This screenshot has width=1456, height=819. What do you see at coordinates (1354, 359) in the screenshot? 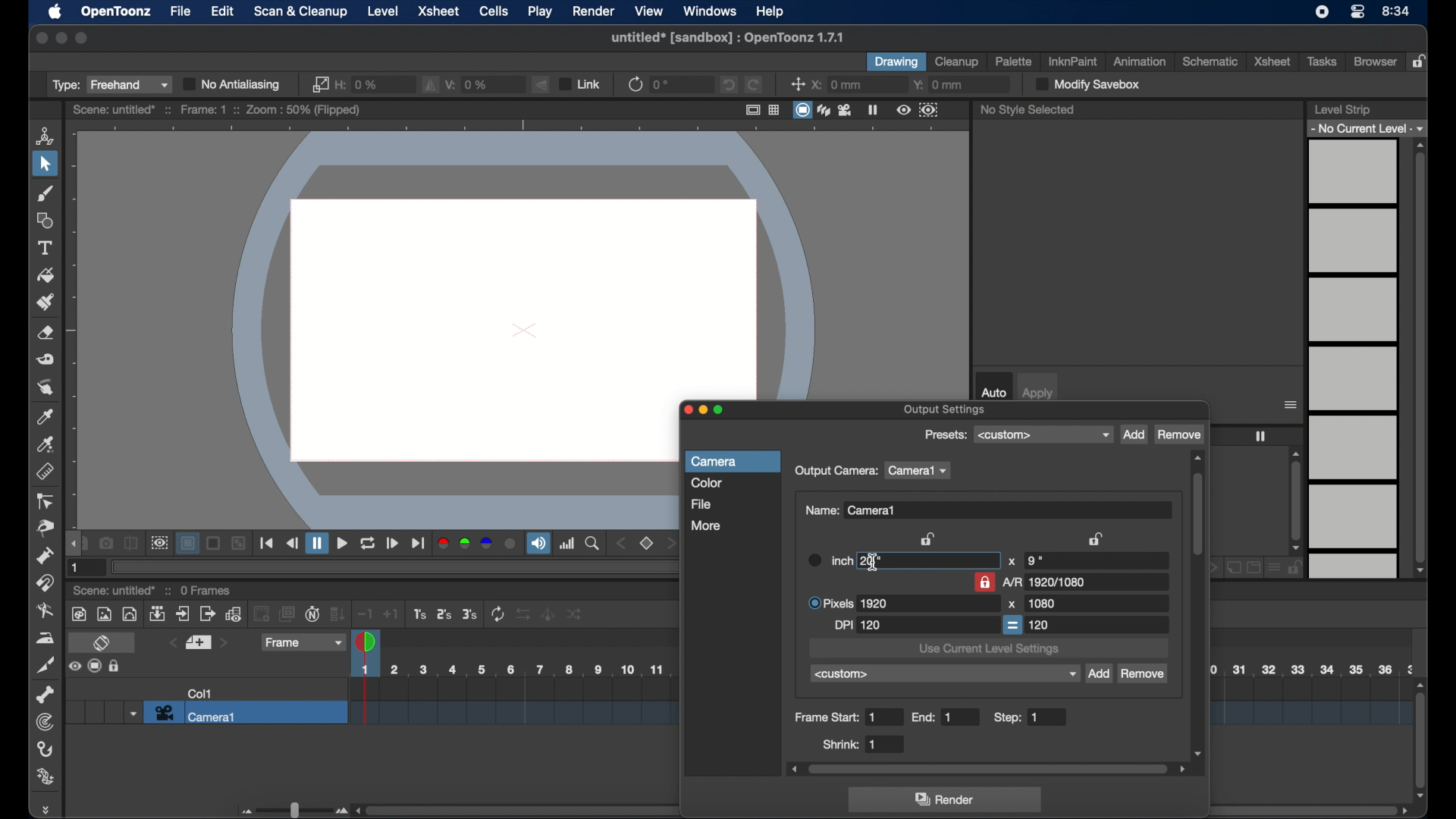
I see `levels` at bounding box center [1354, 359].